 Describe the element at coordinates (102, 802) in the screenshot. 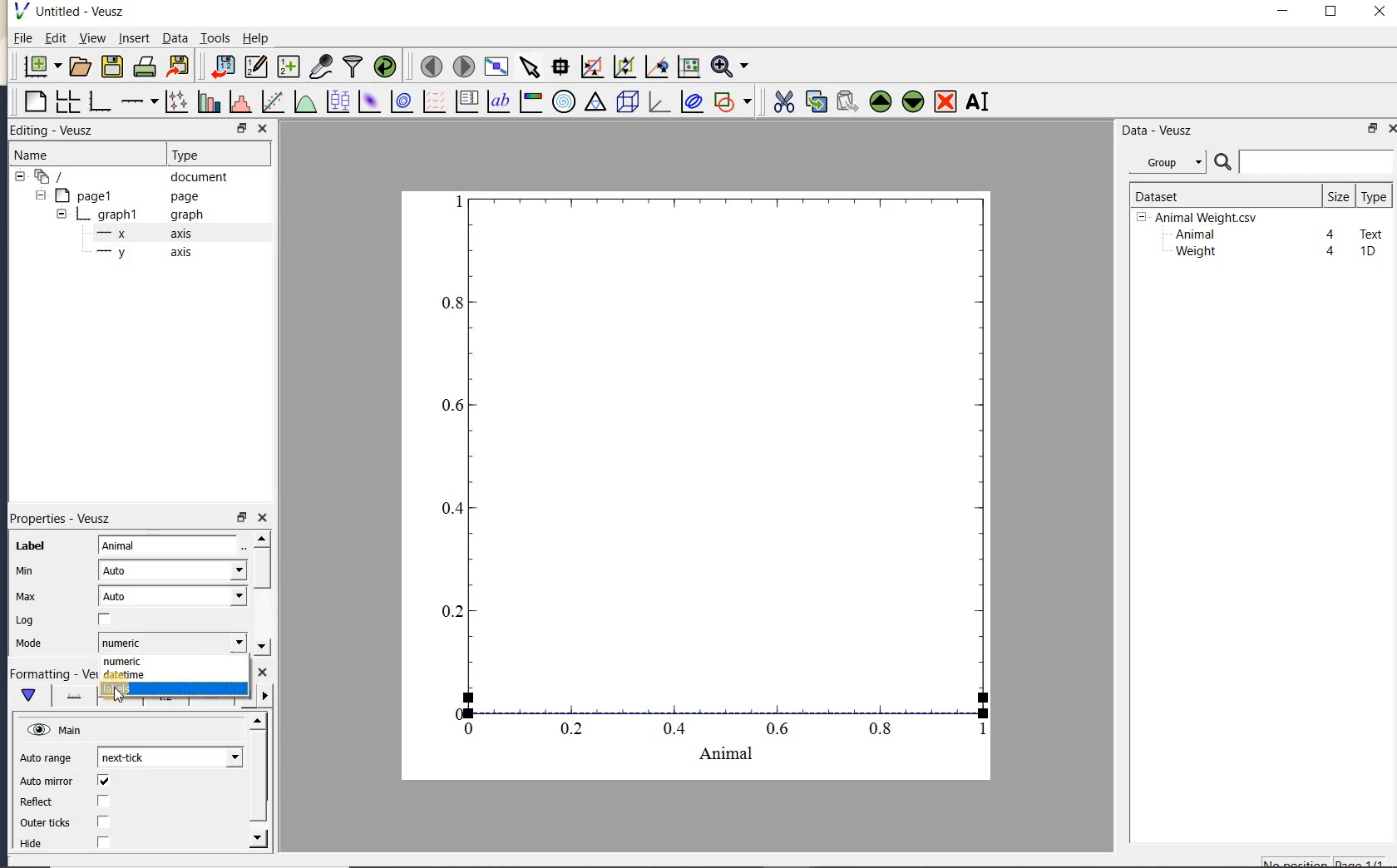

I see `check/uncheck` at that location.